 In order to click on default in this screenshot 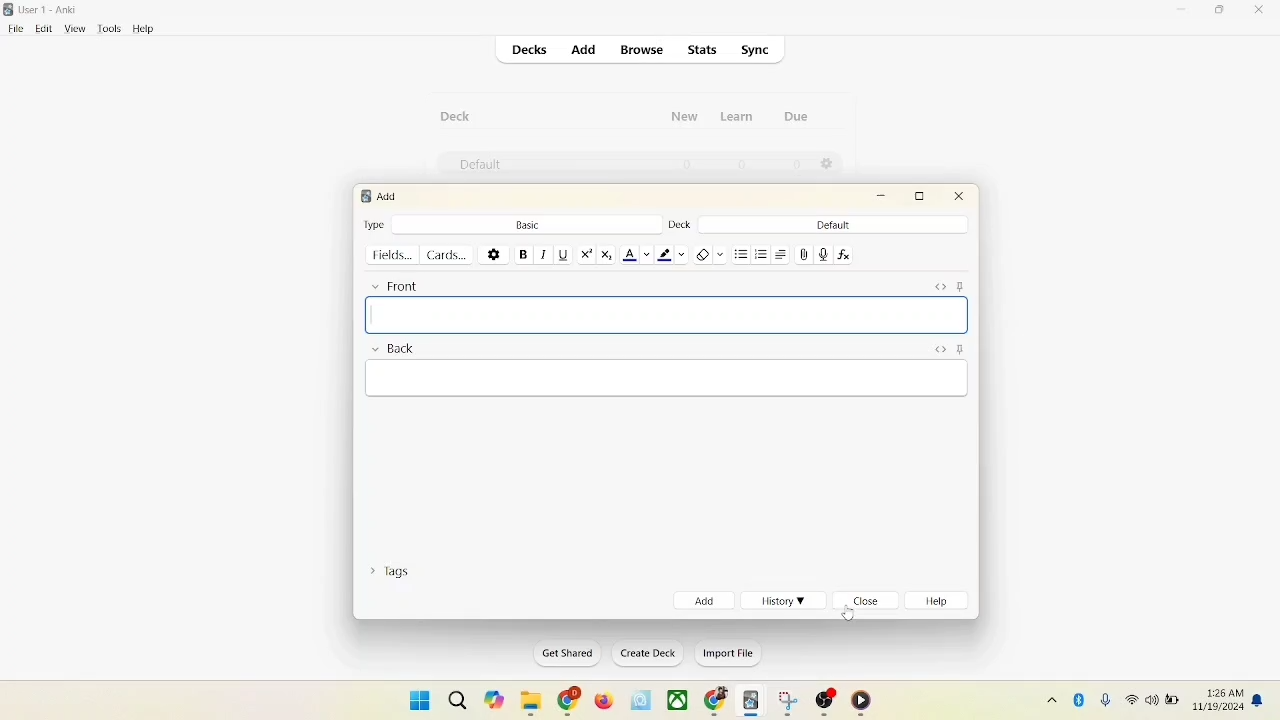, I will do `click(833, 225)`.